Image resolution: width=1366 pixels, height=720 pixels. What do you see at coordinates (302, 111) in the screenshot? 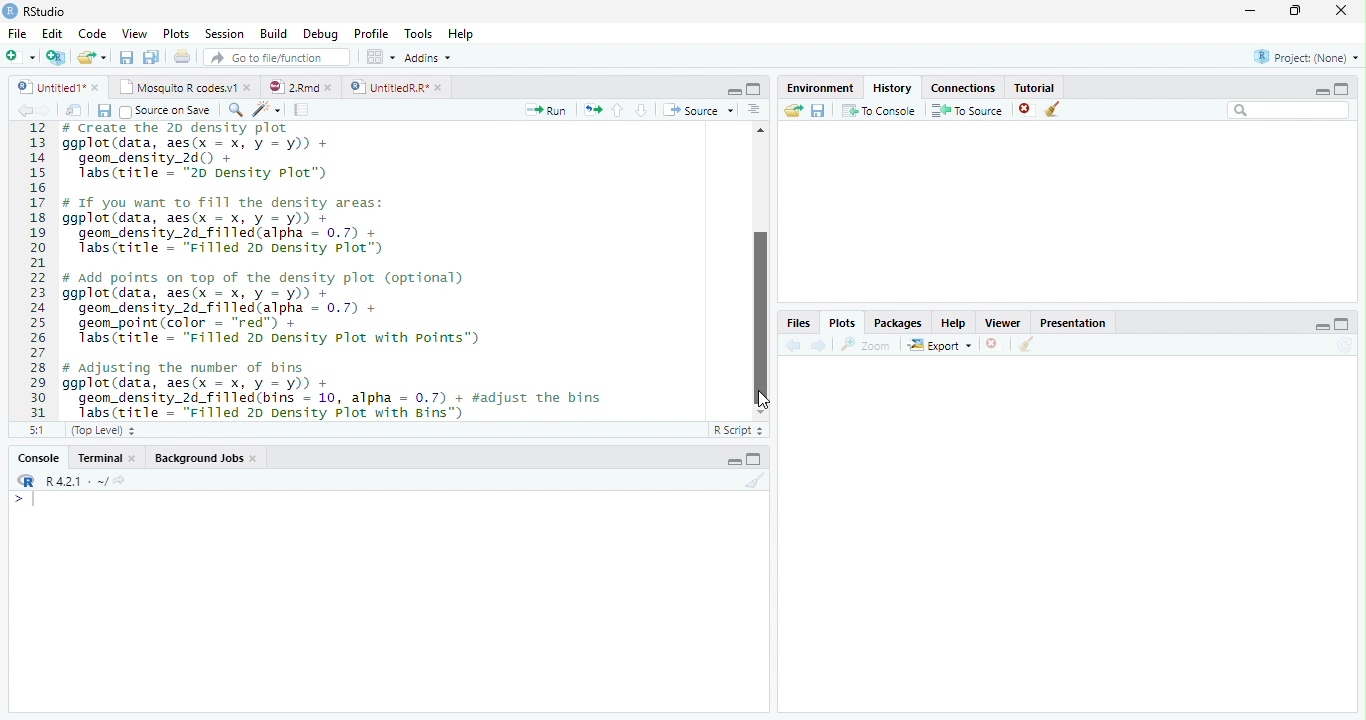
I see `compile report` at bounding box center [302, 111].